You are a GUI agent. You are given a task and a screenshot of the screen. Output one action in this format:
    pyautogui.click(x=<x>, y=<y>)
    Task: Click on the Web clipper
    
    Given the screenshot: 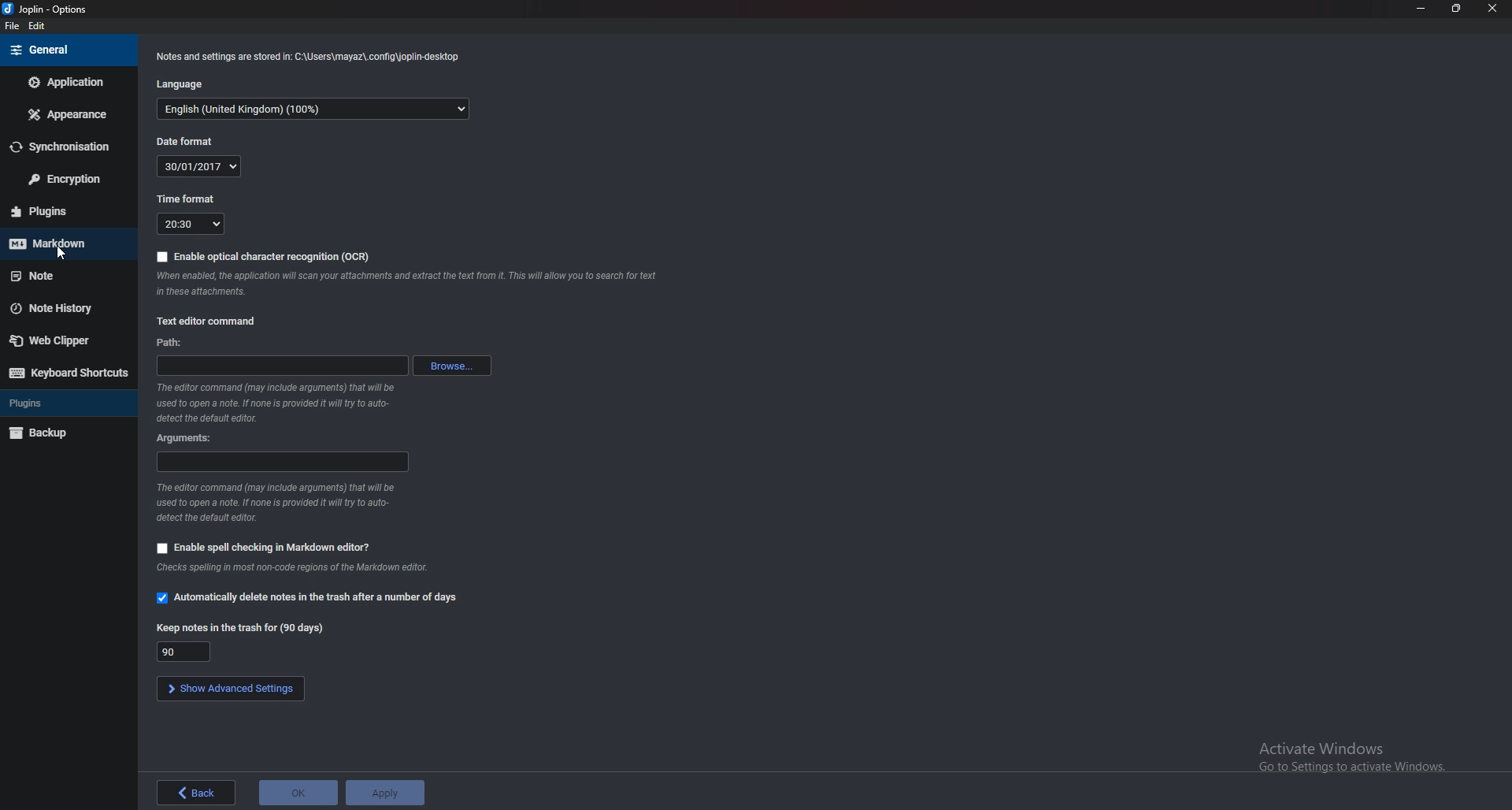 What is the action you would take?
    pyautogui.click(x=61, y=338)
    